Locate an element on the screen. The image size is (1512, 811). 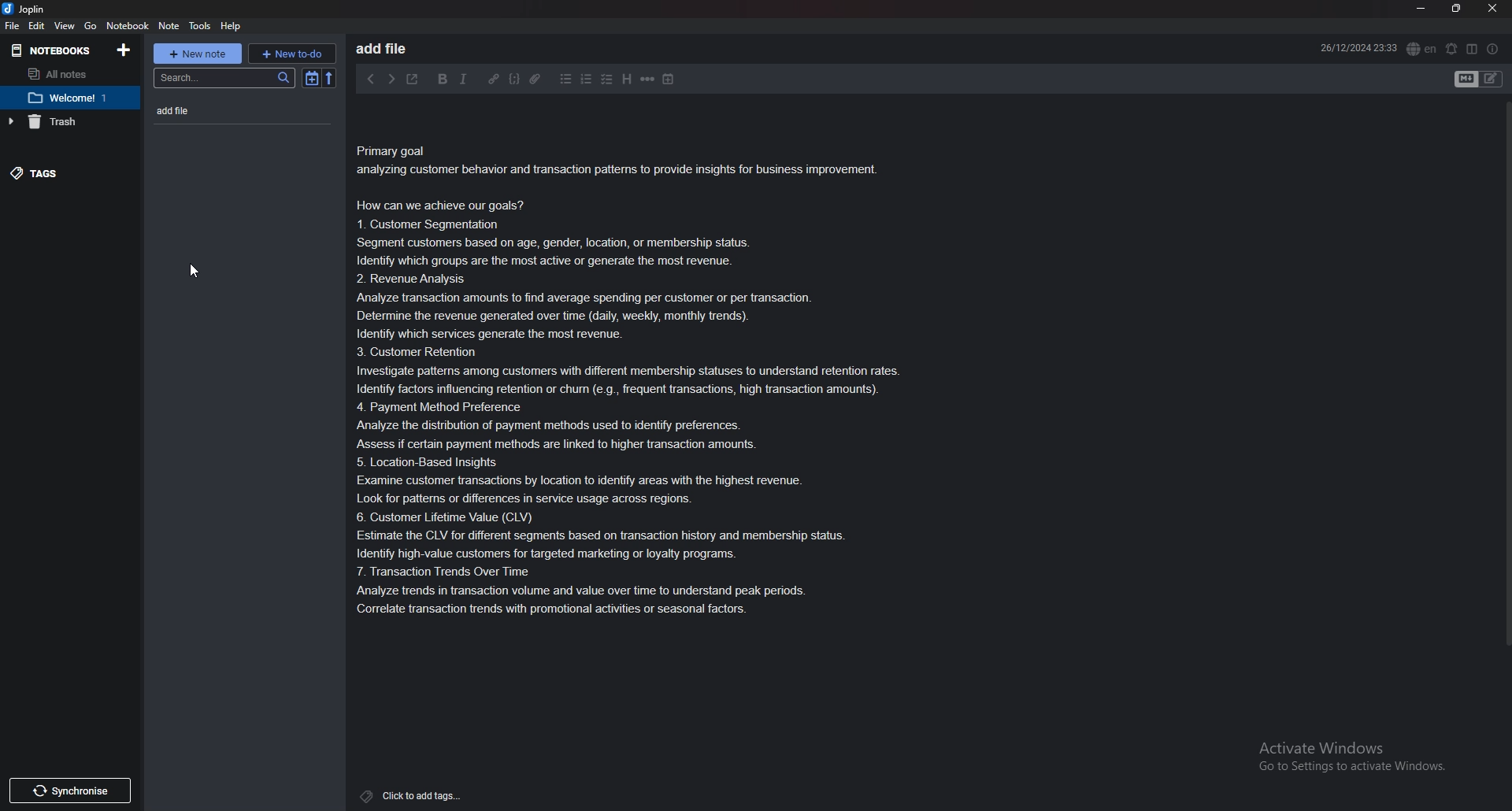
Toggle editor layout is located at coordinates (1472, 50).